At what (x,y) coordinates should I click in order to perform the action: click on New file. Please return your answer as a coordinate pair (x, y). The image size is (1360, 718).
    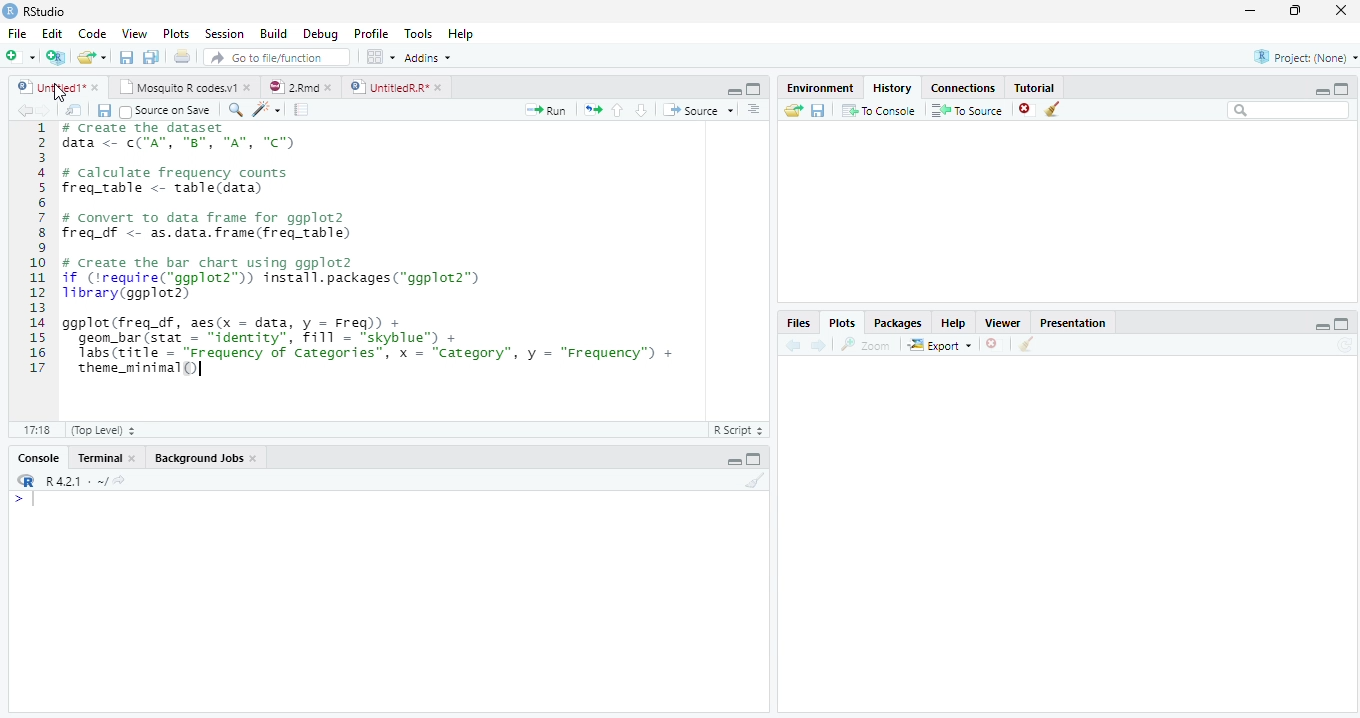
    Looking at the image, I should click on (20, 56).